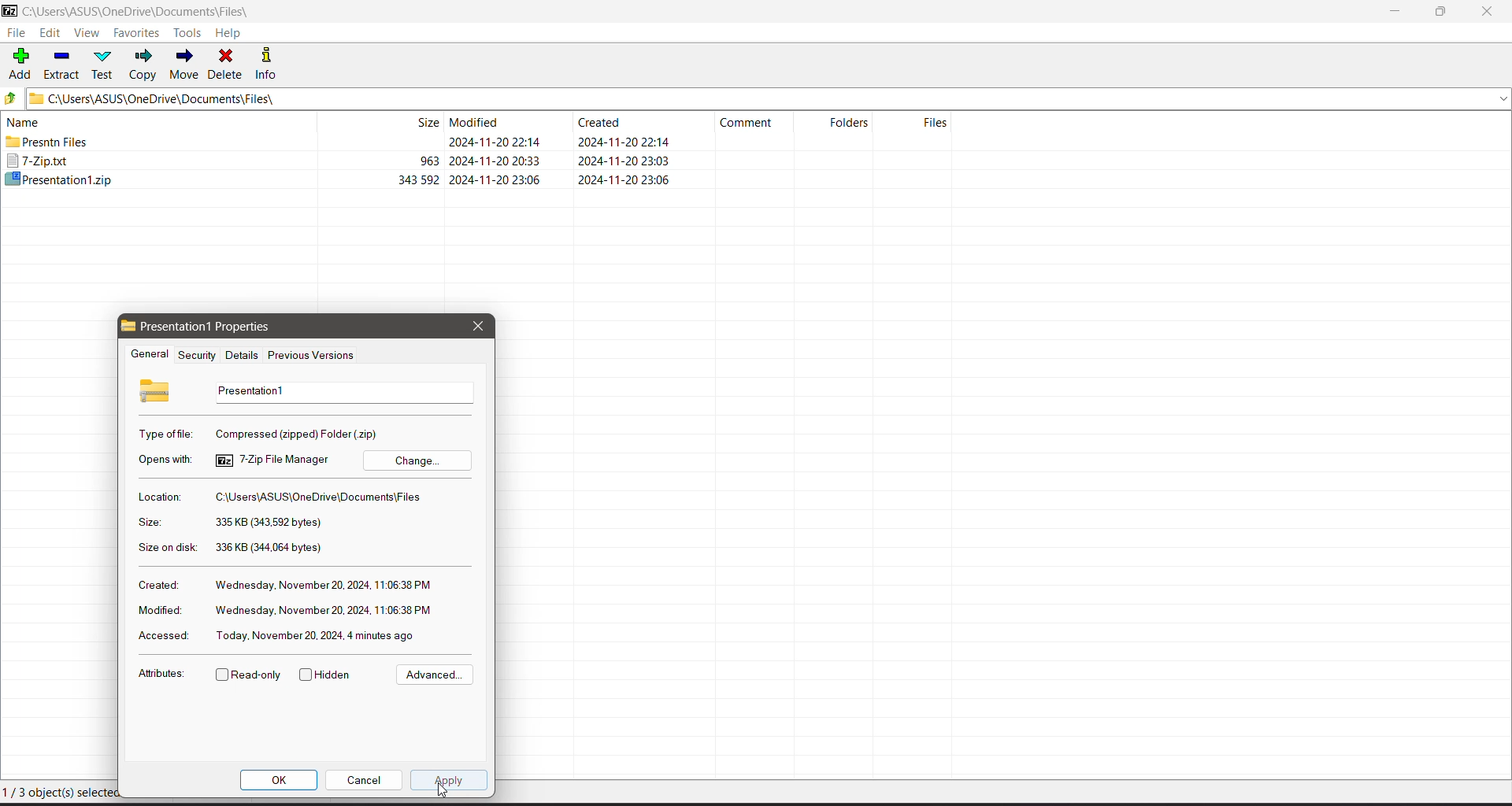 The height and width of the screenshot is (806, 1512). What do you see at coordinates (167, 434) in the screenshot?
I see `Type of file` at bounding box center [167, 434].